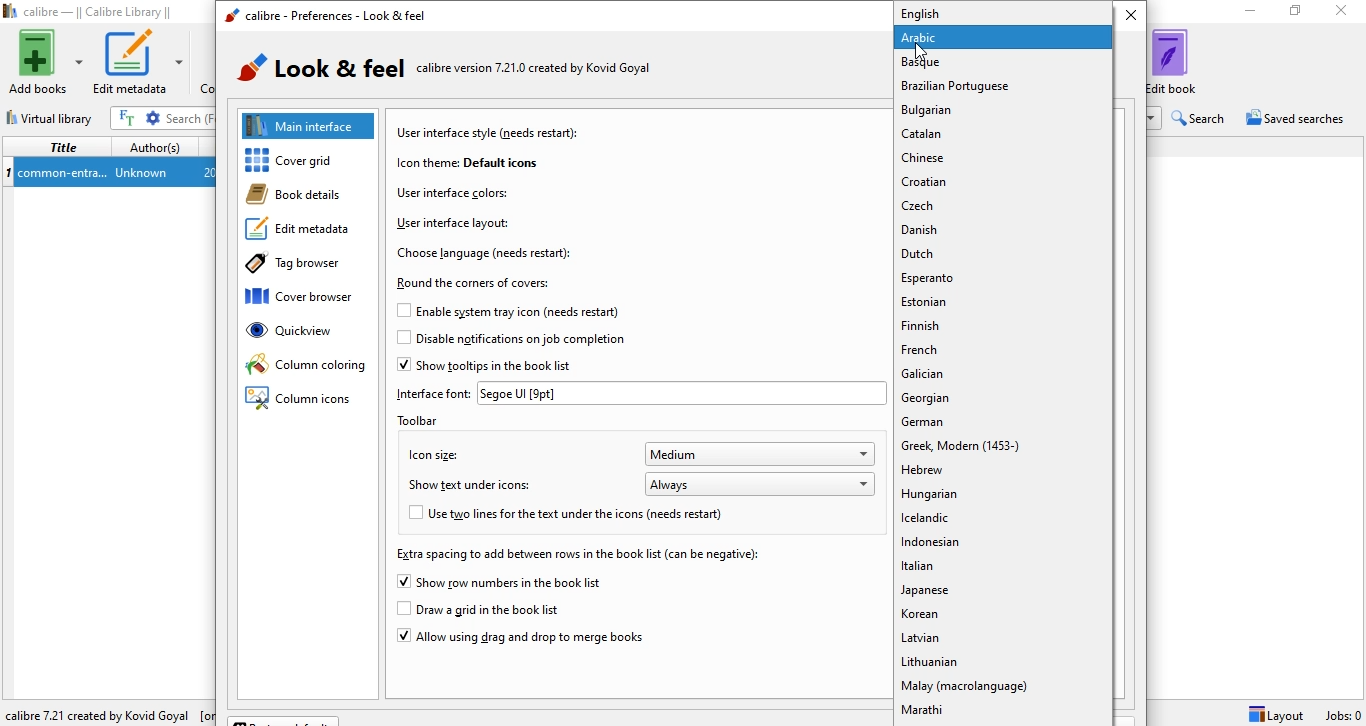  Describe the element at coordinates (1002, 422) in the screenshot. I see `german` at that location.